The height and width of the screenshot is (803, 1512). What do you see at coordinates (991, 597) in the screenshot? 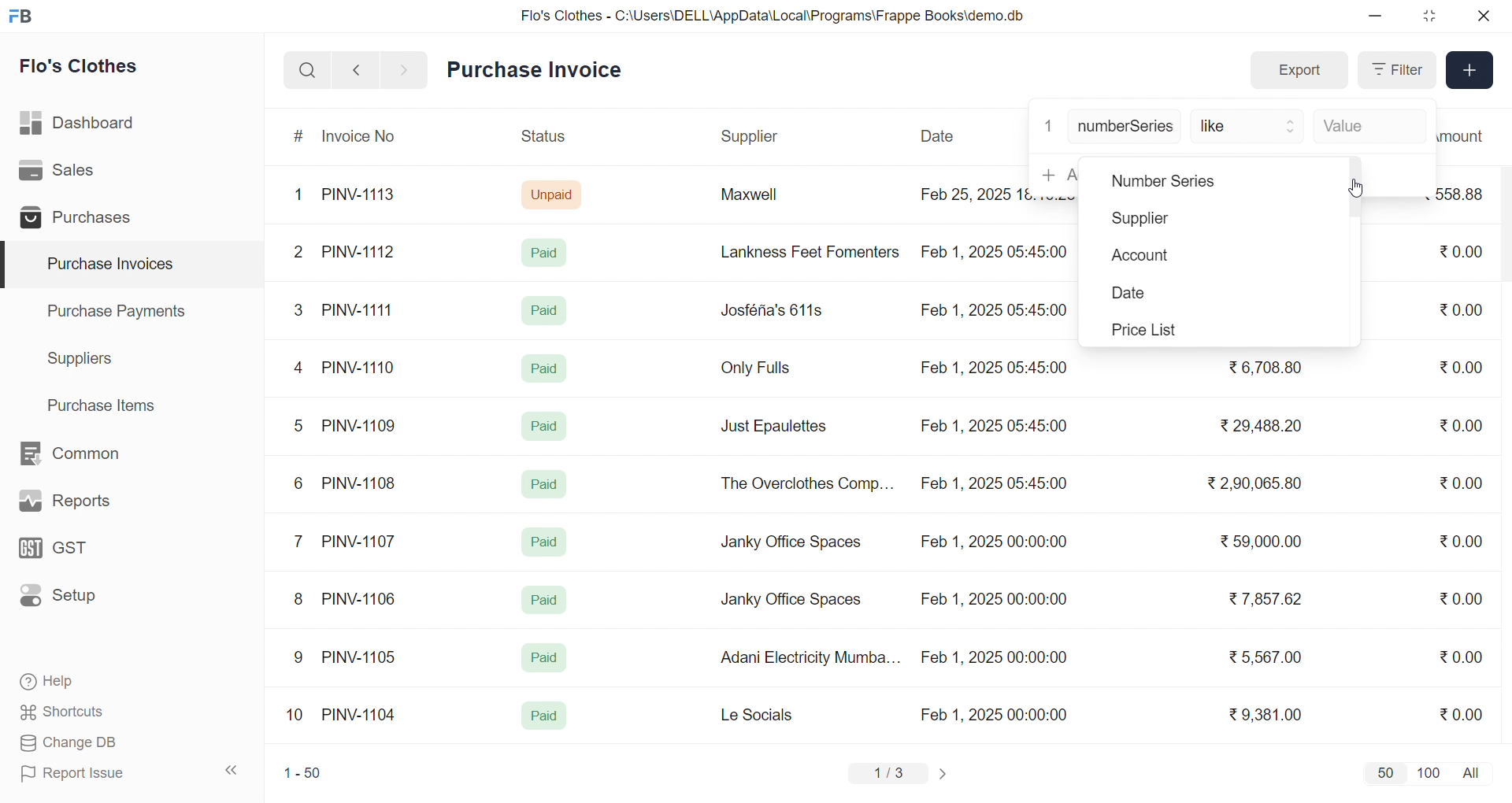
I see `Feb 1, 2025 00:00:00` at bounding box center [991, 597].